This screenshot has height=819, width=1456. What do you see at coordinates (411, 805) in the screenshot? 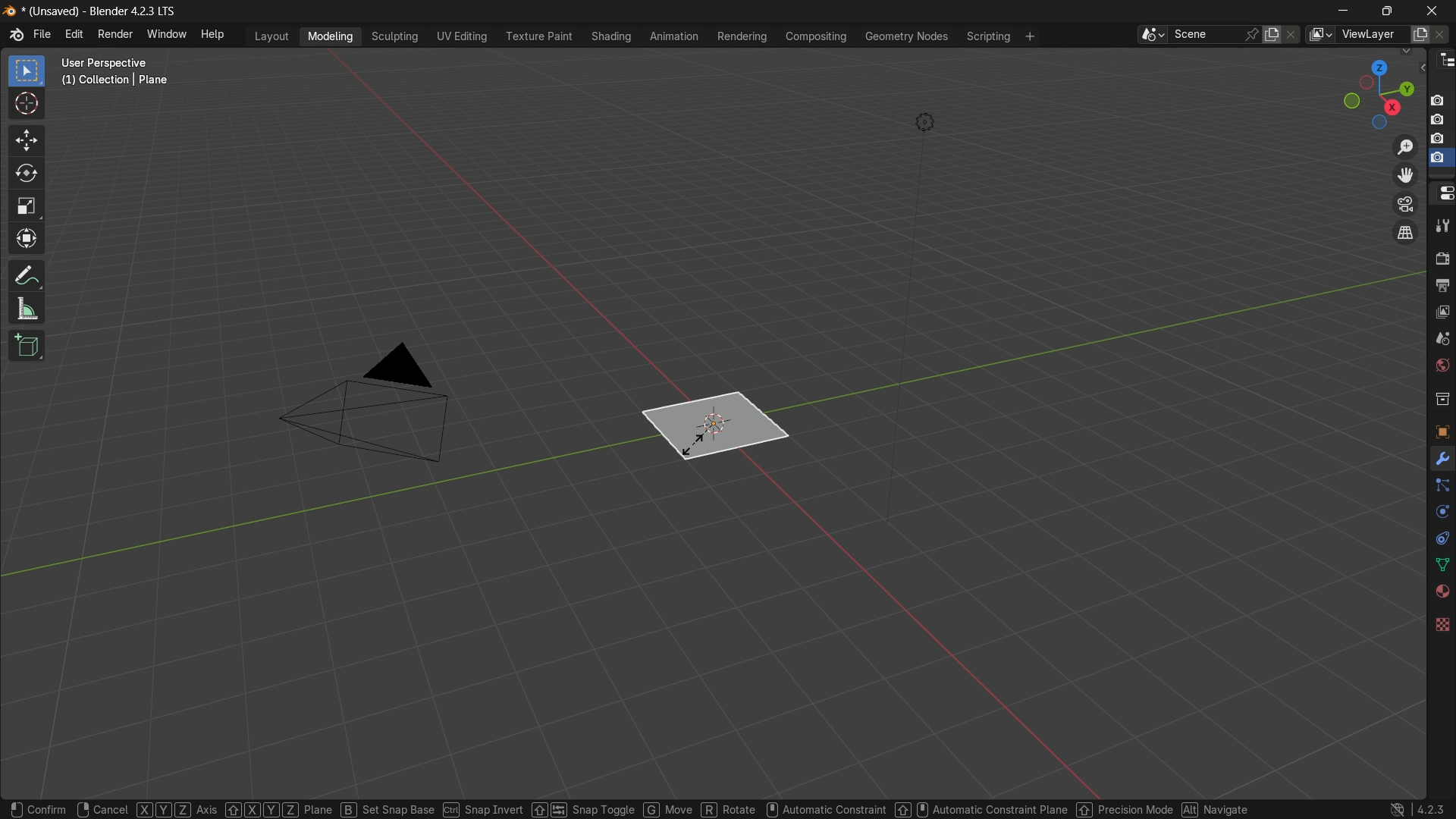
I see `set snap base ctrl` at bounding box center [411, 805].